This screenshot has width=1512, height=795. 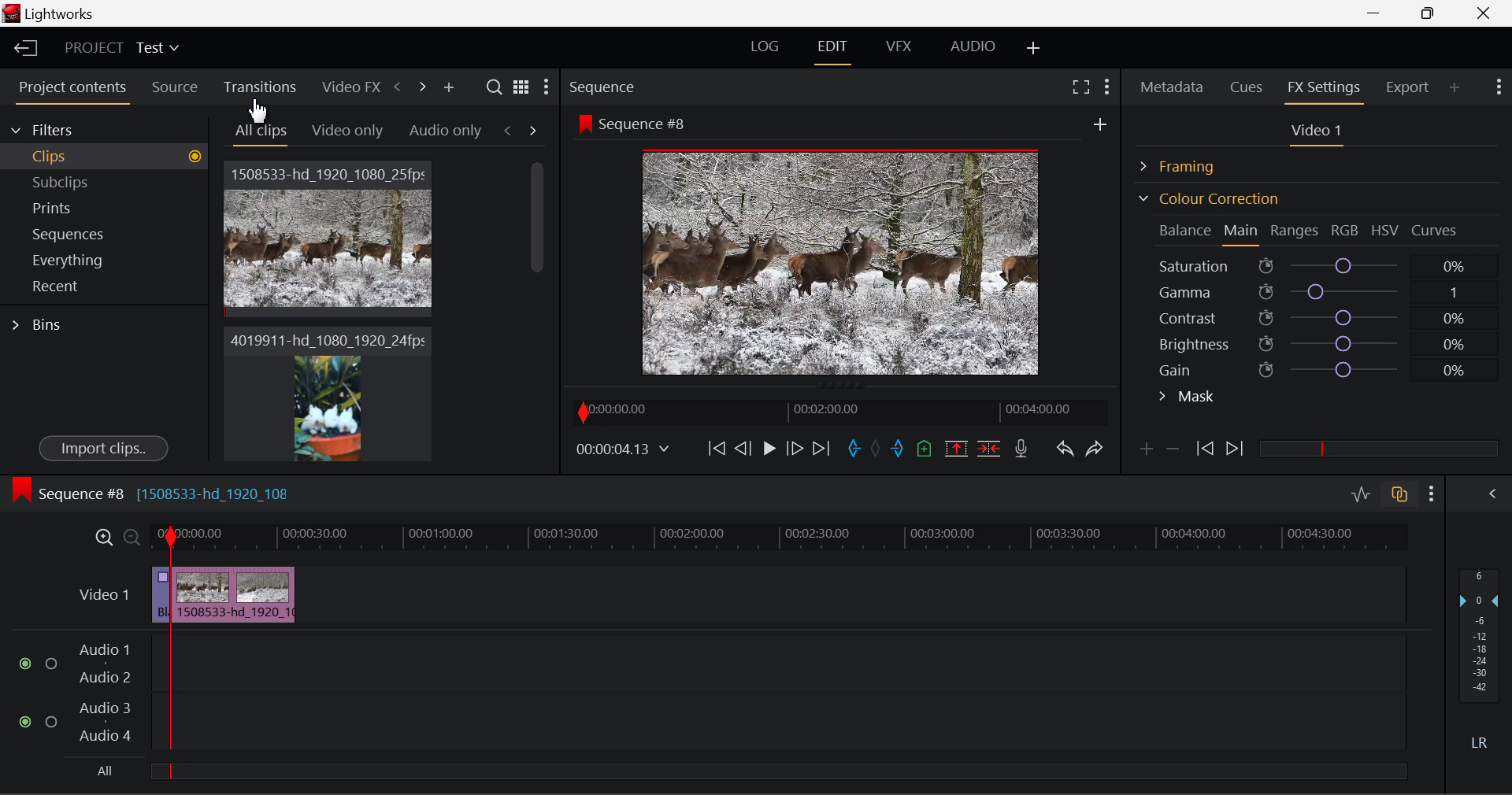 I want to click on Add Layout, so click(x=1034, y=49).